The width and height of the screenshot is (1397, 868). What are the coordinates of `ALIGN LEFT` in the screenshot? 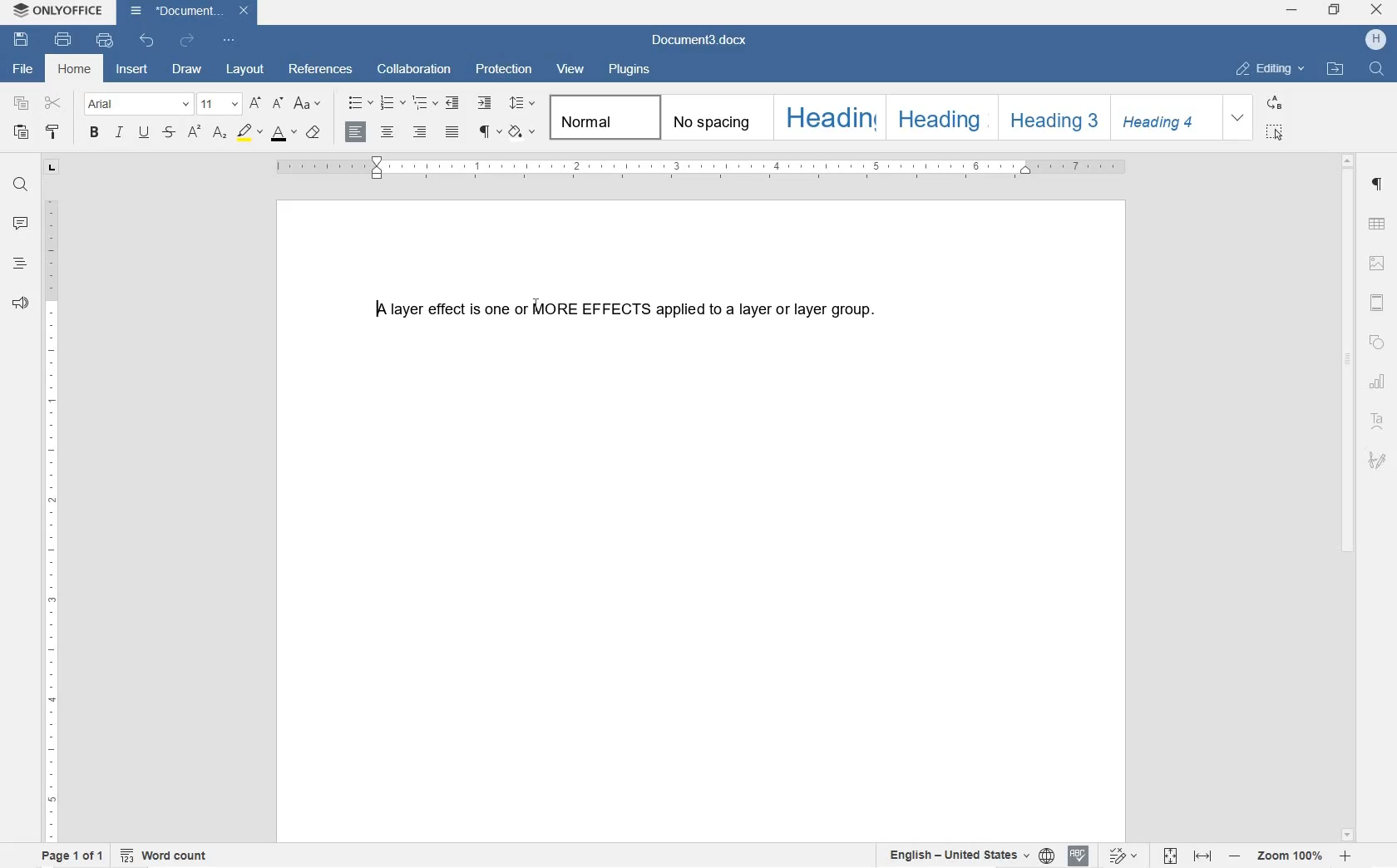 It's located at (353, 131).